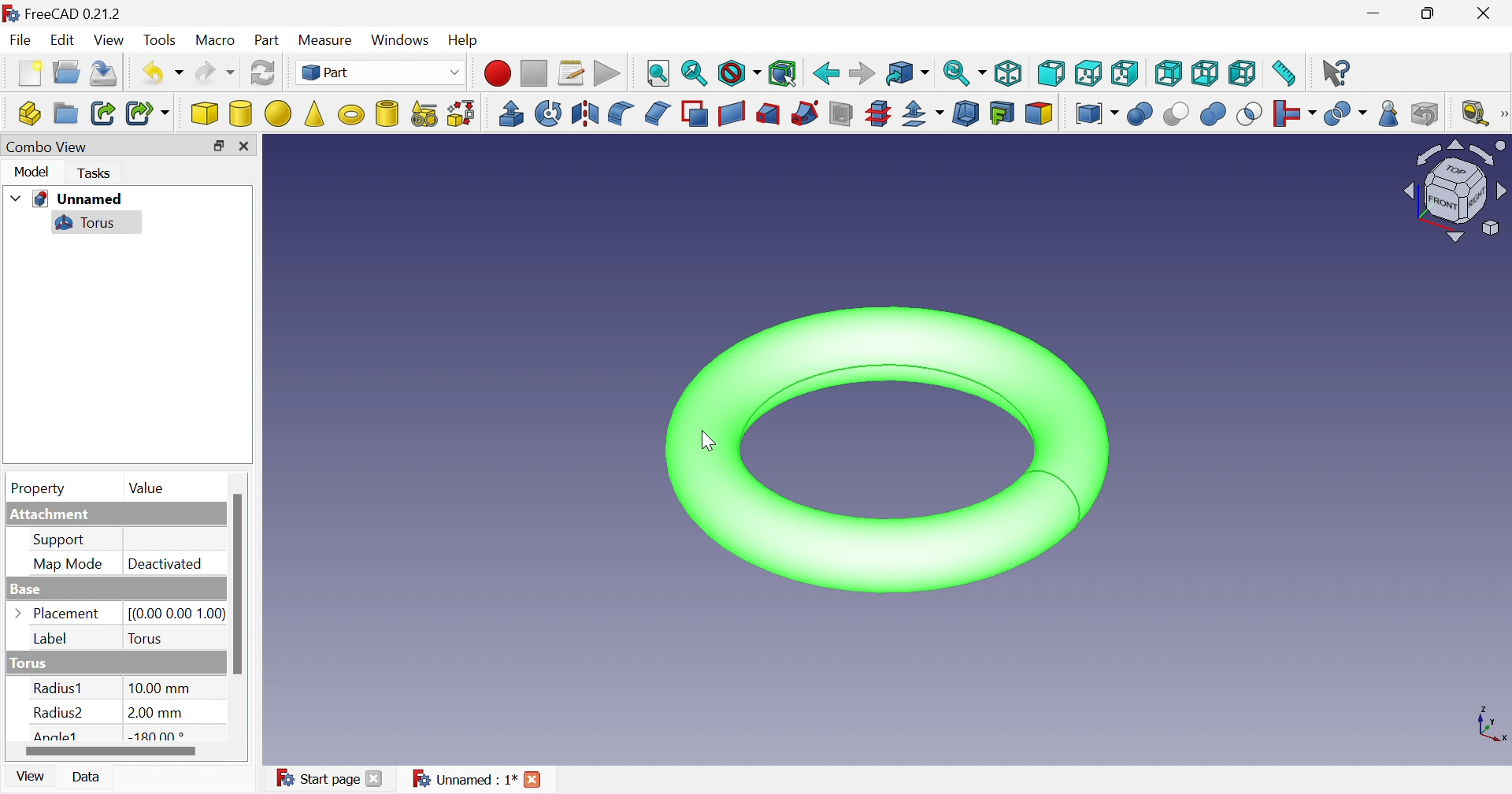 The width and height of the screenshot is (1512, 794). Describe the element at coordinates (64, 40) in the screenshot. I see `Edit` at that location.